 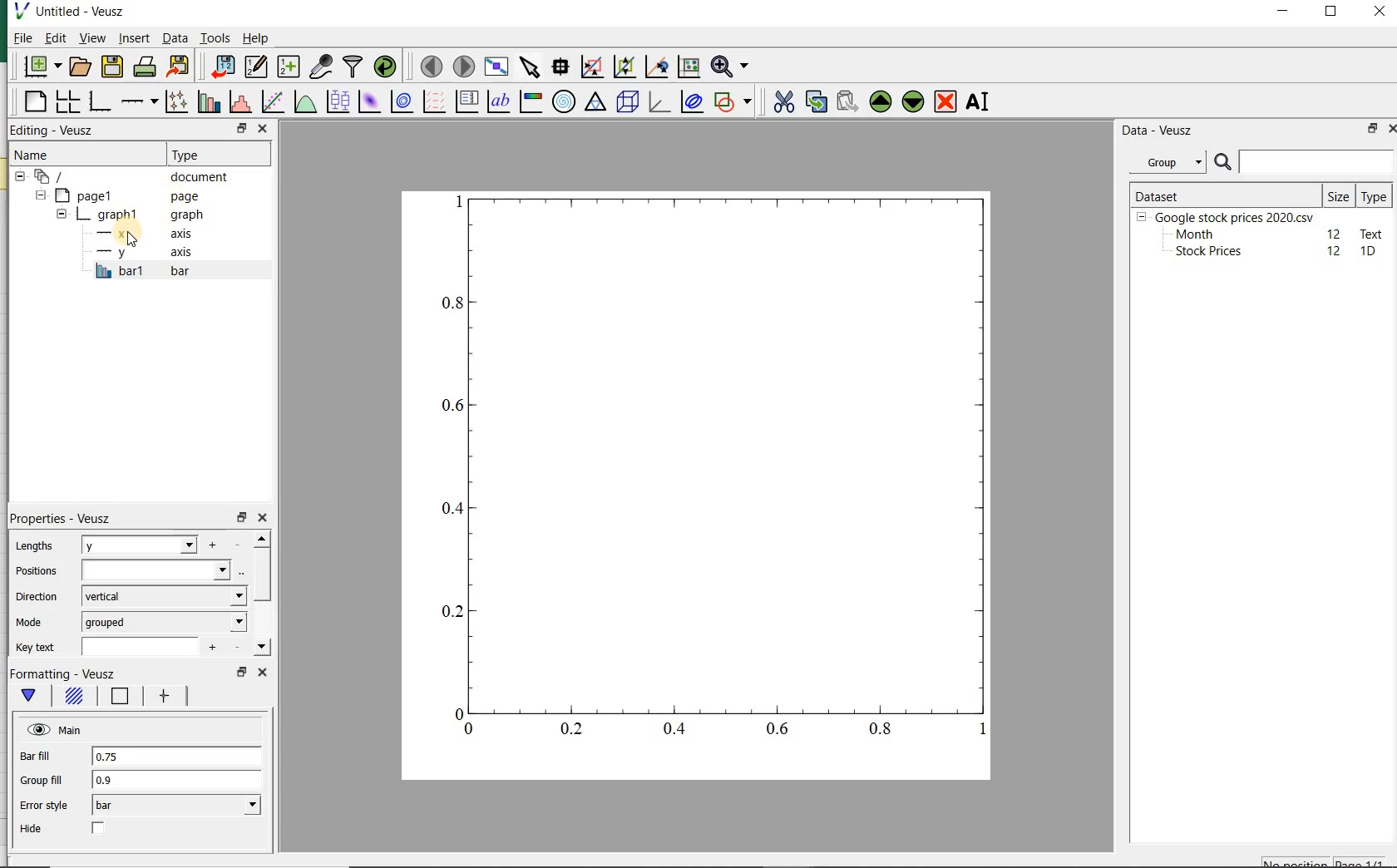 I want to click on view, so click(x=92, y=39).